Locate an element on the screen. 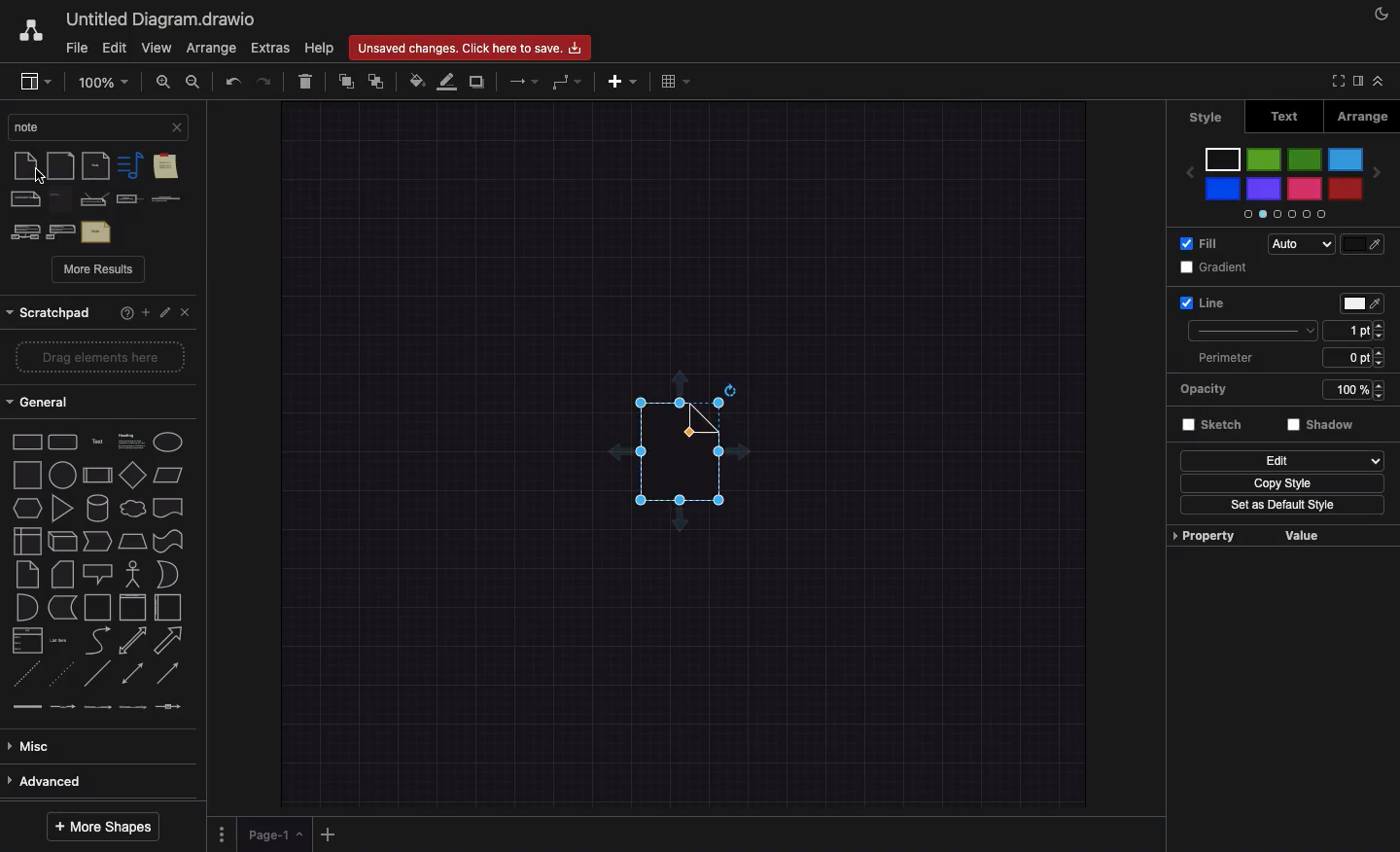 The image size is (1400, 852). Arrange is located at coordinates (1362, 116).